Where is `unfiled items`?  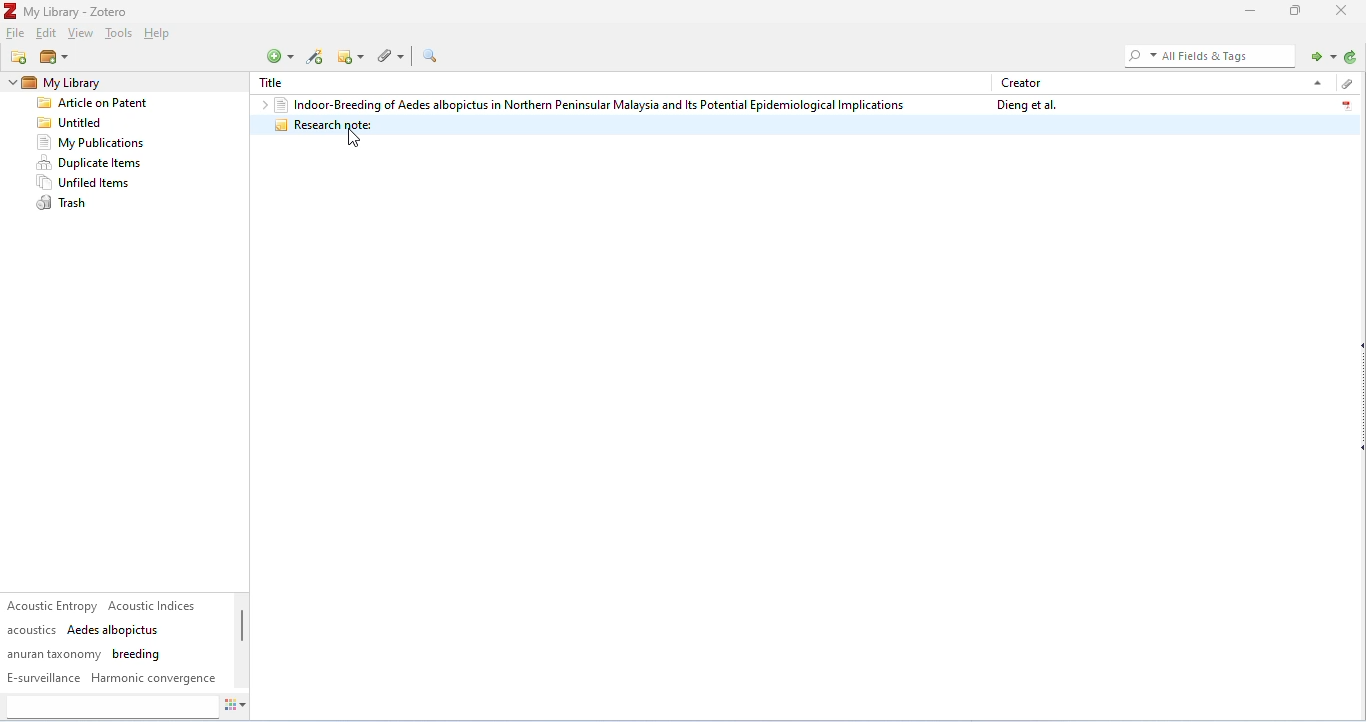 unfiled items is located at coordinates (87, 183).